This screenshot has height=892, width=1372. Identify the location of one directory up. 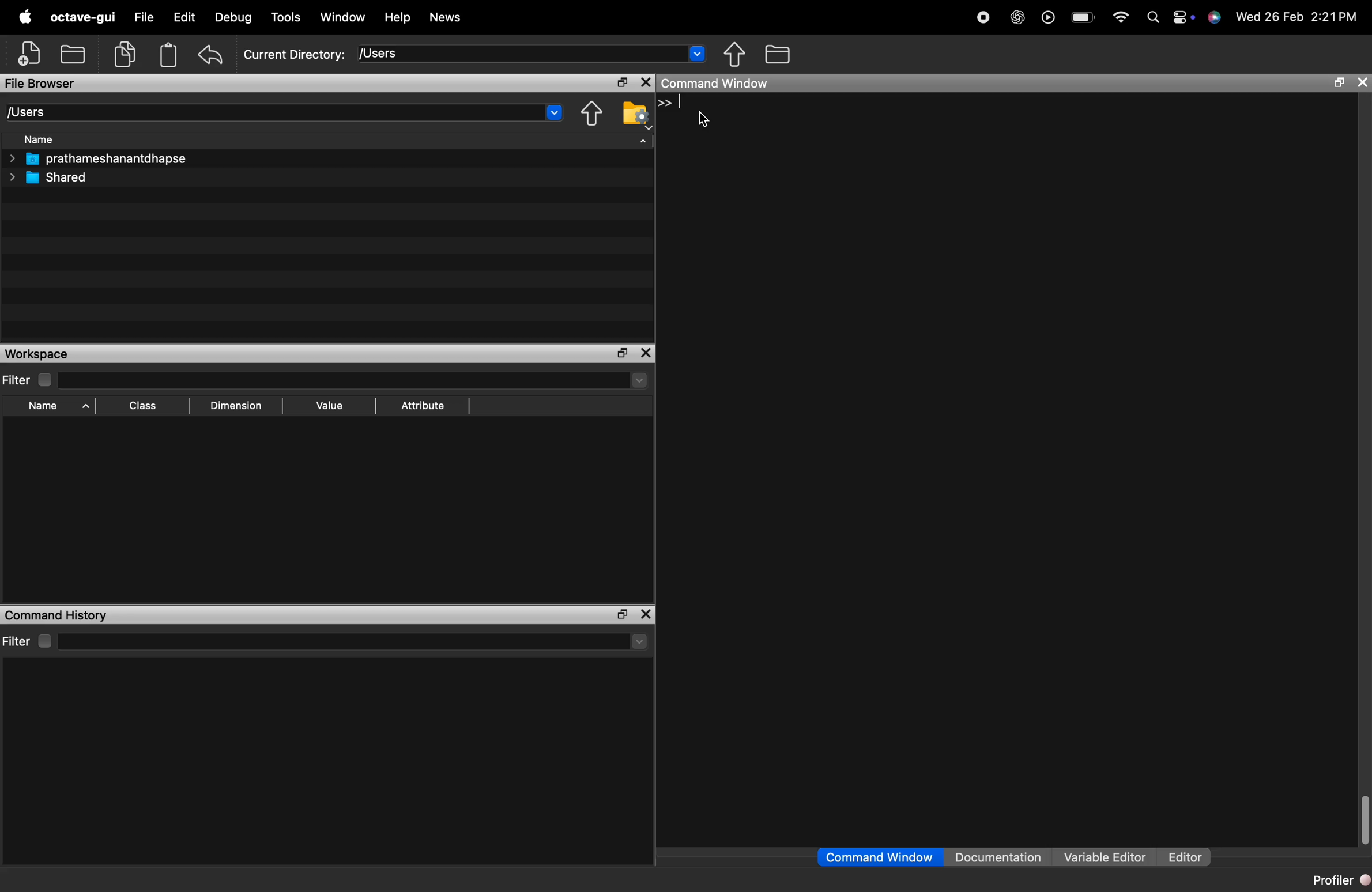
(591, 115).